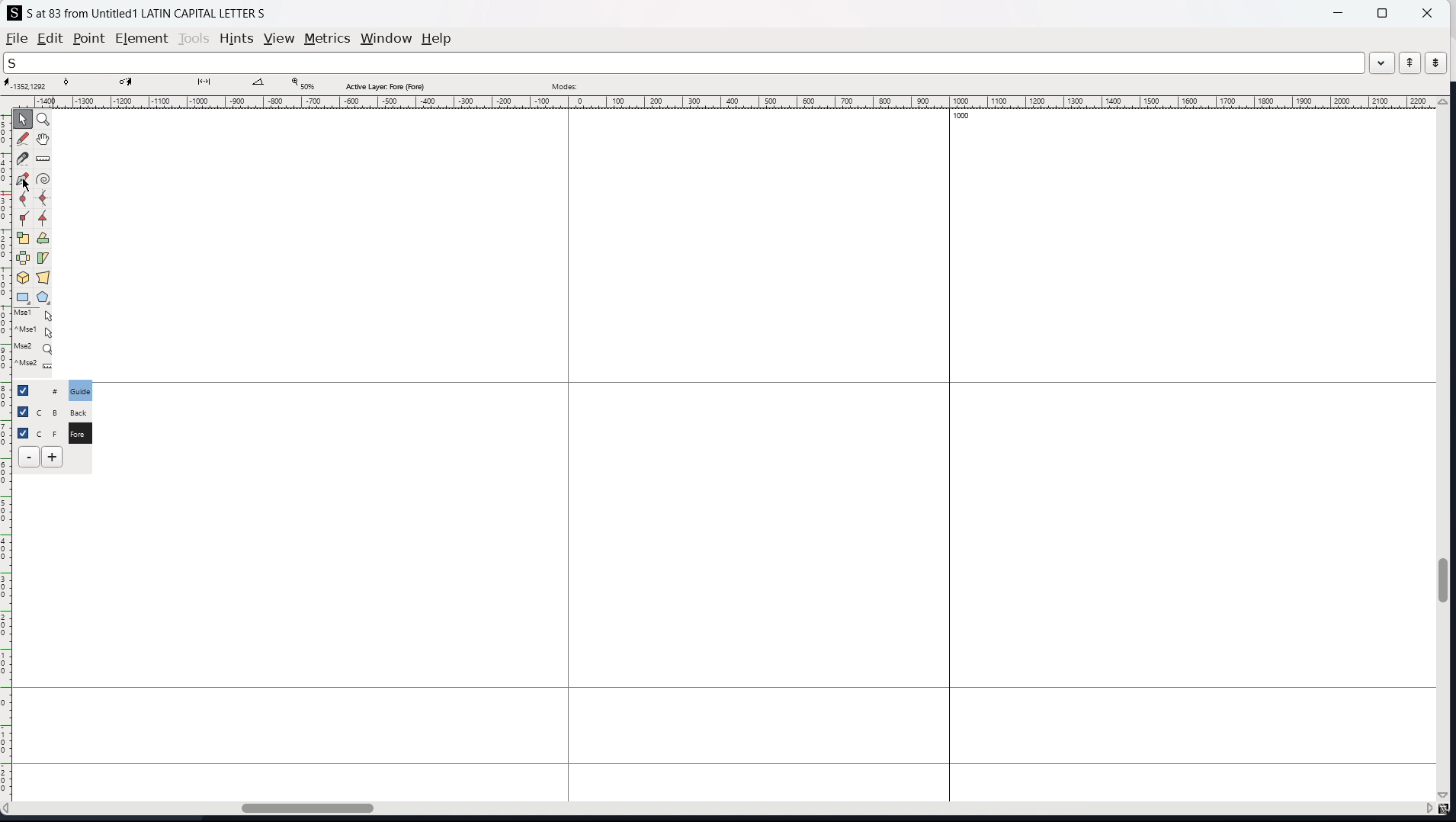 The image size is (1456, 822). I want to click on Mse1, so click(34, 316).